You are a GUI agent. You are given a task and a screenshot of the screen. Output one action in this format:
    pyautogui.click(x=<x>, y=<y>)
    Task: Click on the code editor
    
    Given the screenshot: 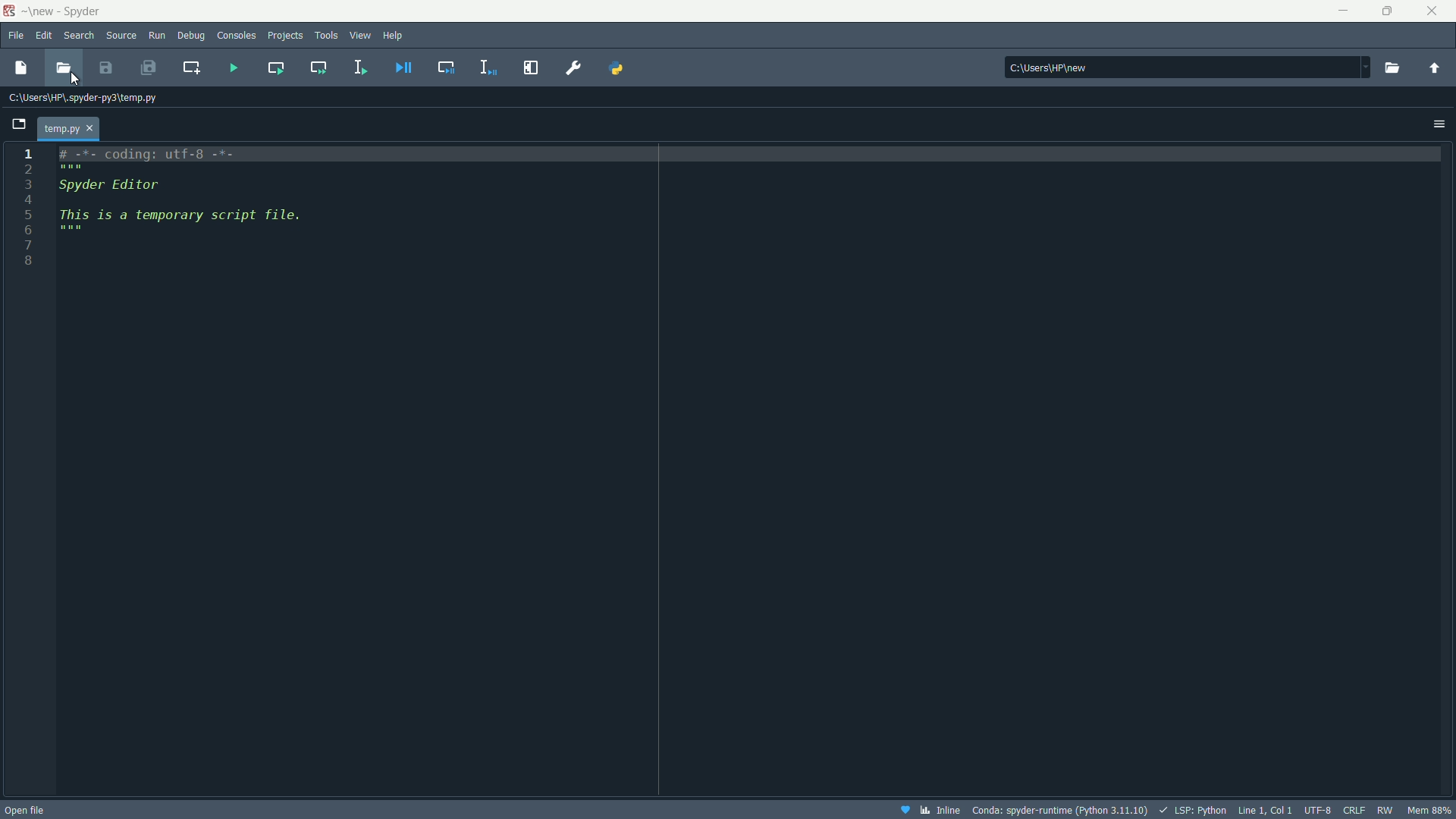 What is the action you would take?
    pyautogui.click(x=359, y=471)
    